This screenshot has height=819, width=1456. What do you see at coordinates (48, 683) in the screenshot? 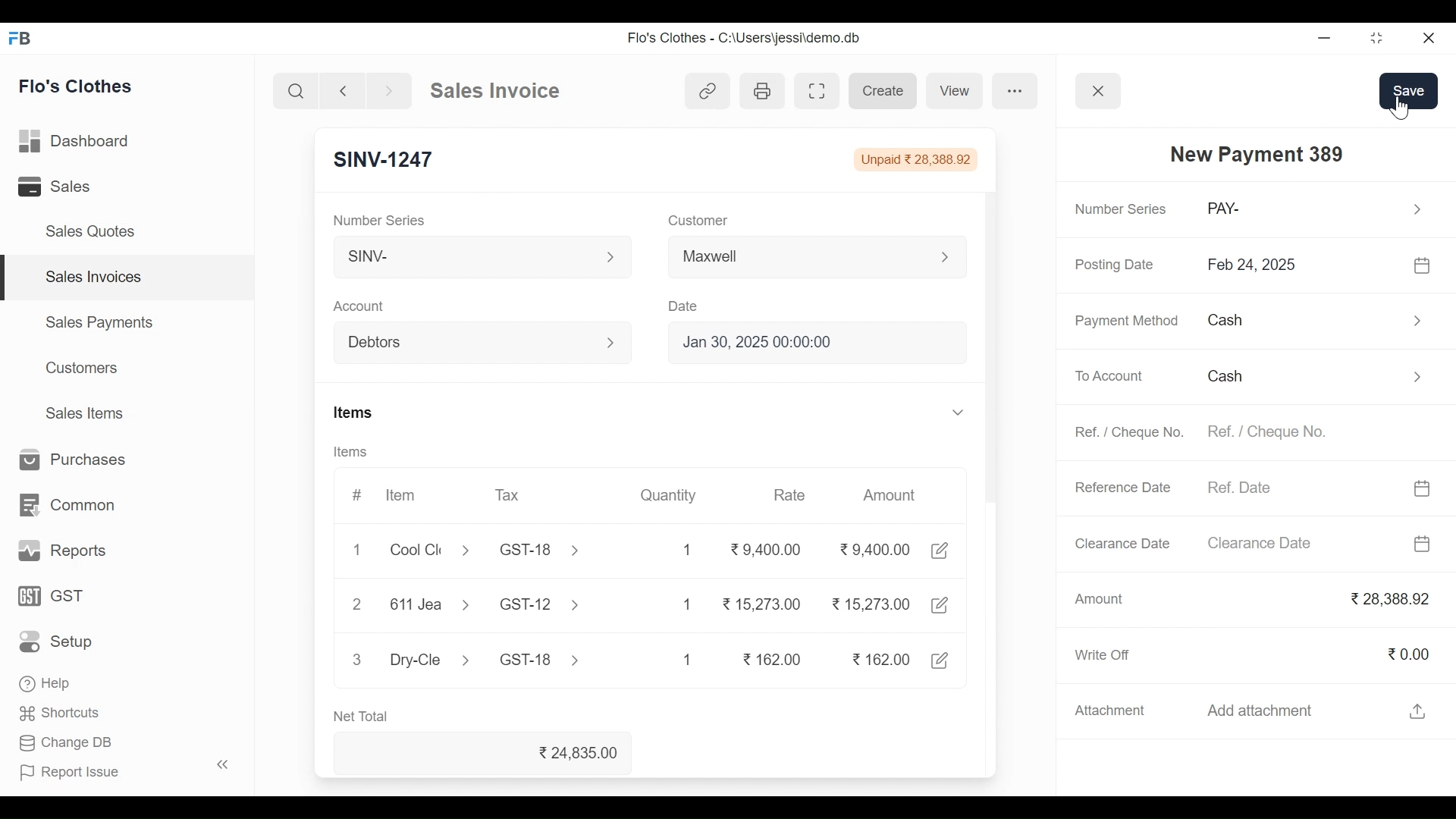
I see `‘Help` at bounding box center [48, 683].